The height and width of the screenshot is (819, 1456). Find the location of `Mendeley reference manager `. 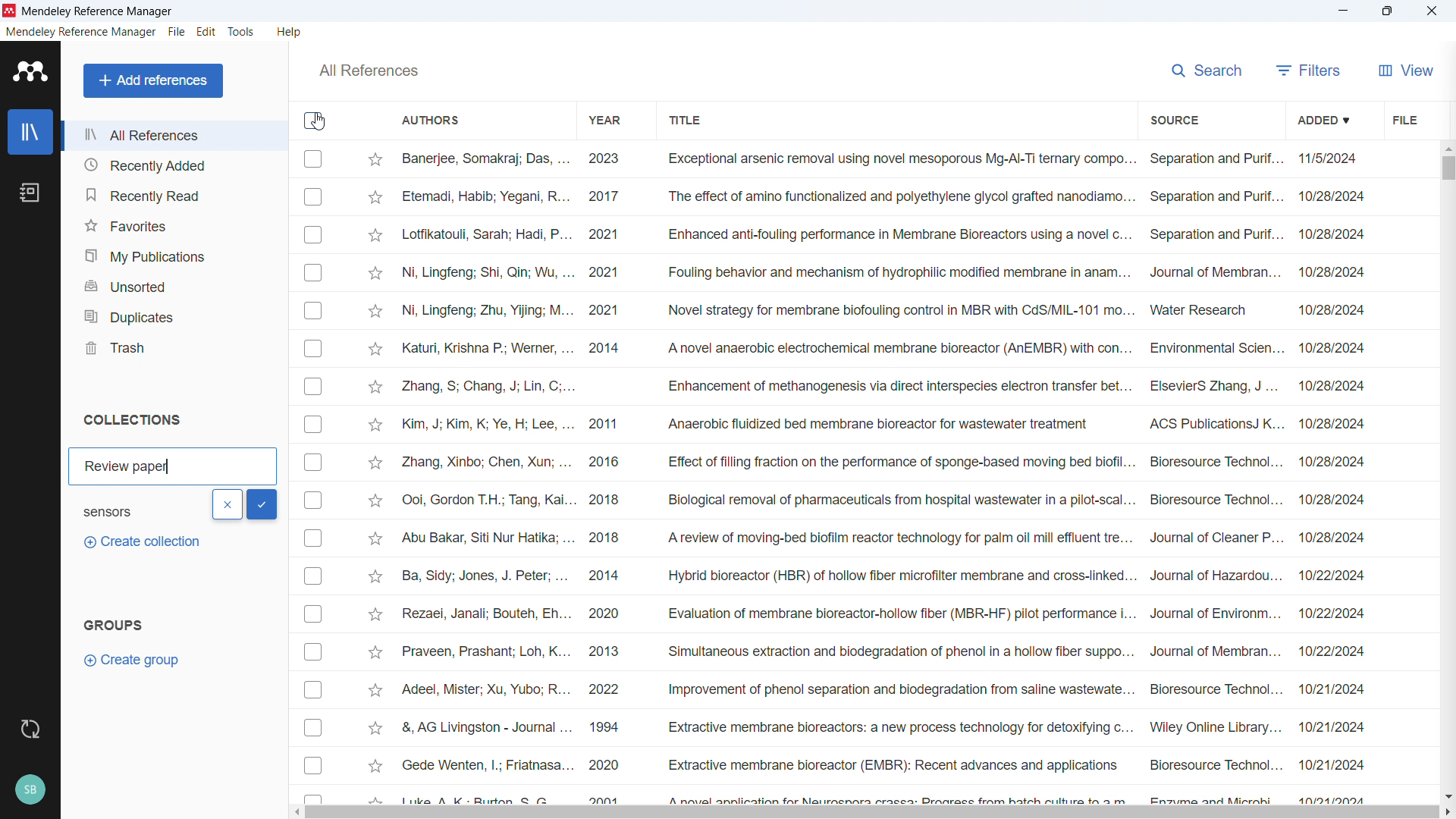

Mendeley reference manager  is located at coordinates (81, 32).